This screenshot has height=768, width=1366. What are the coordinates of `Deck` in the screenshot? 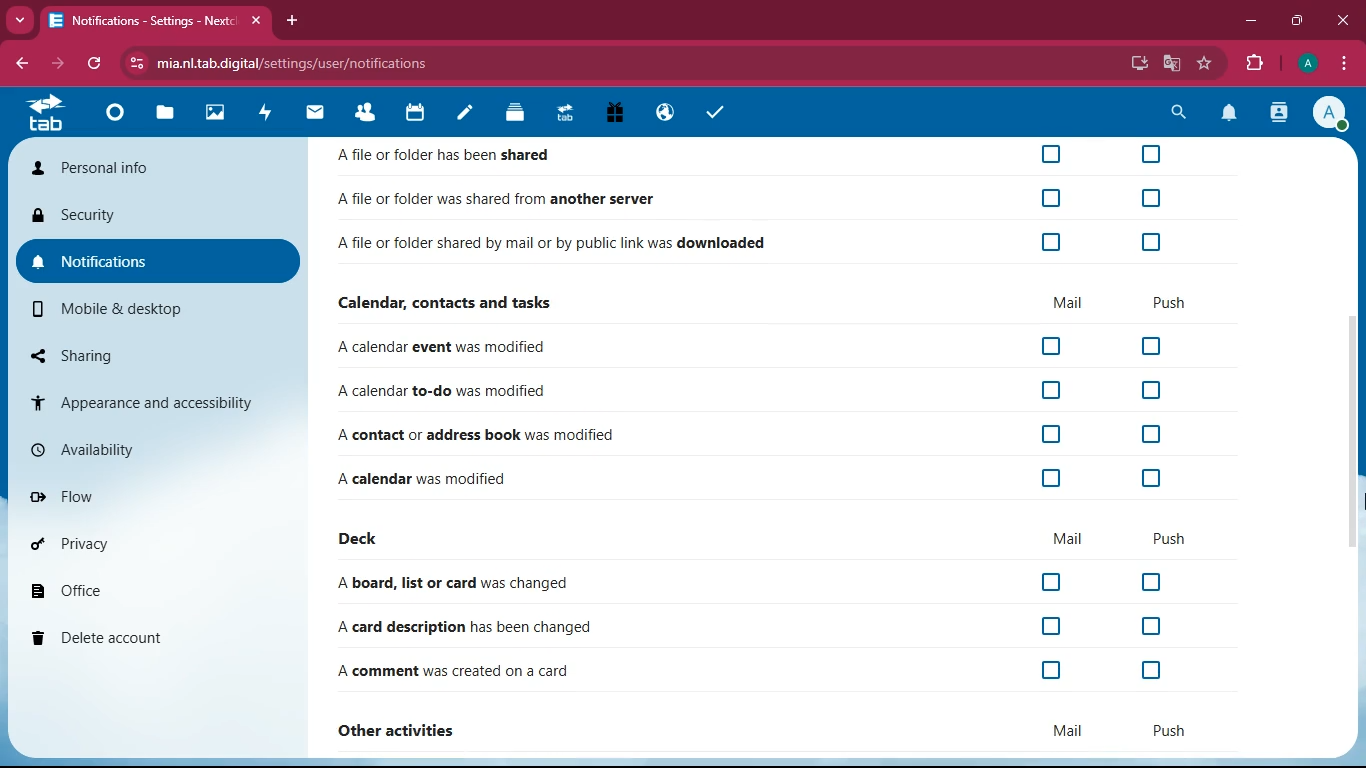 It's located at (511, 114).